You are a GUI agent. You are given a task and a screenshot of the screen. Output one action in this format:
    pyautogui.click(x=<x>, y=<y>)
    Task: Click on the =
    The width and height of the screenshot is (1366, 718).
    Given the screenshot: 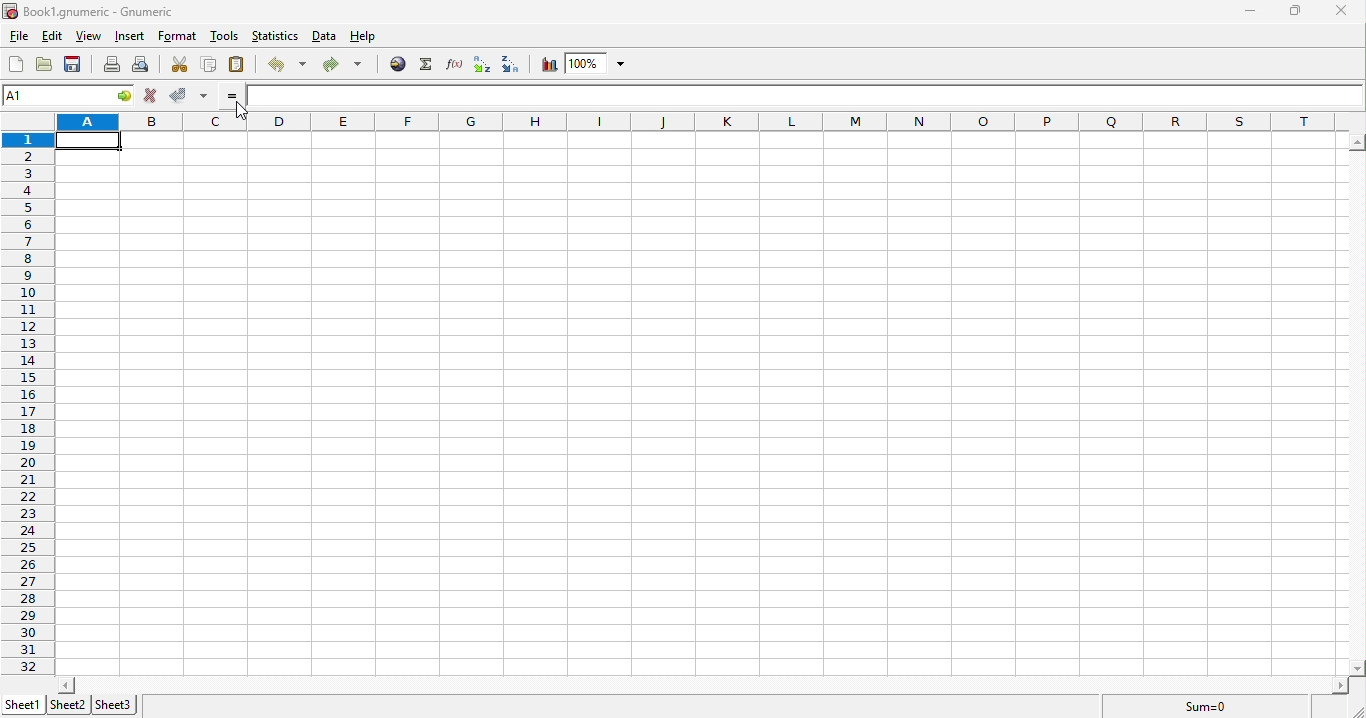 What is the action you would take?
    pyautogui.click(x=233, y=96)
    